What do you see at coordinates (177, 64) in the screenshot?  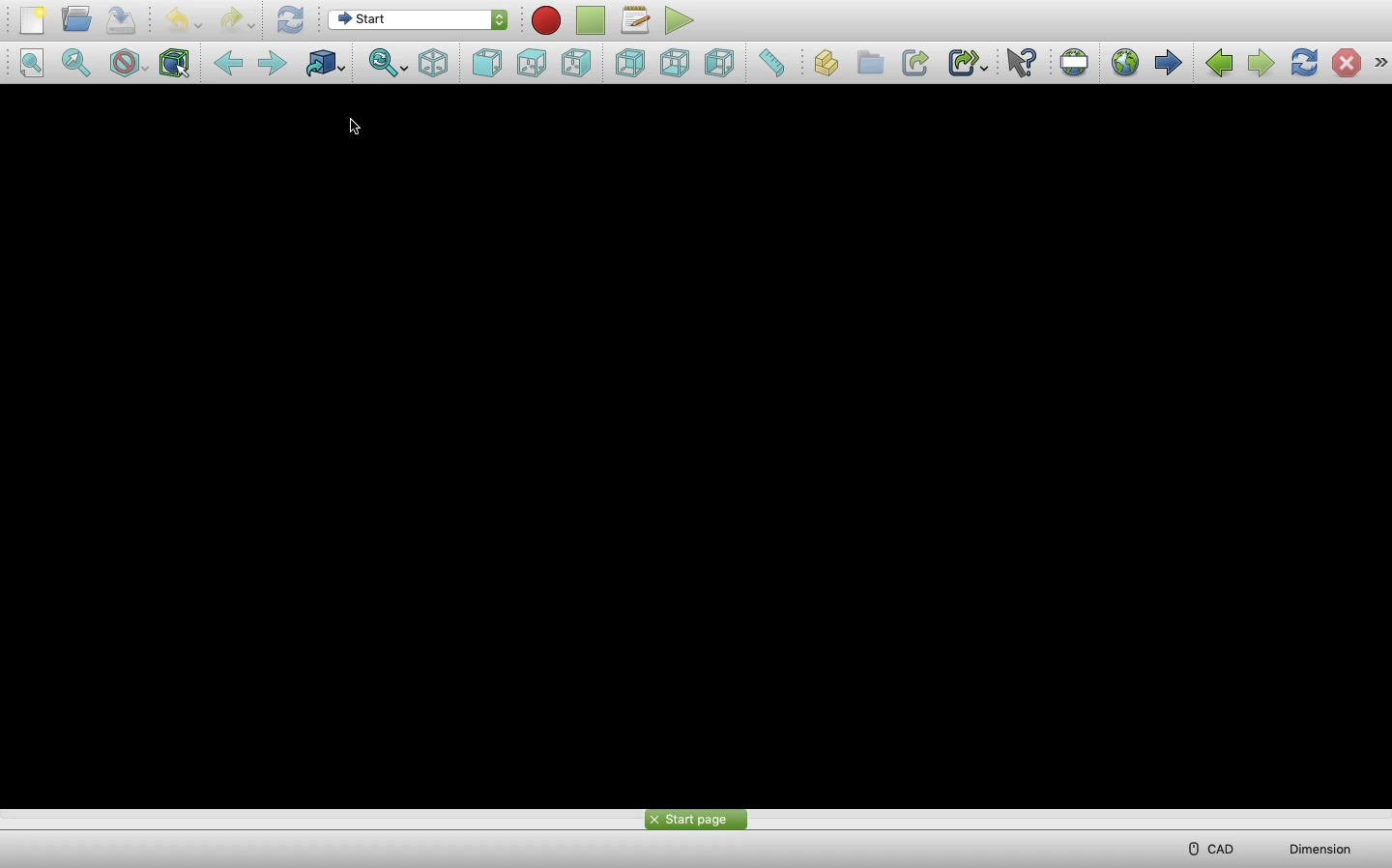 I see `Selection Filter` at bounding box center [177, 64].